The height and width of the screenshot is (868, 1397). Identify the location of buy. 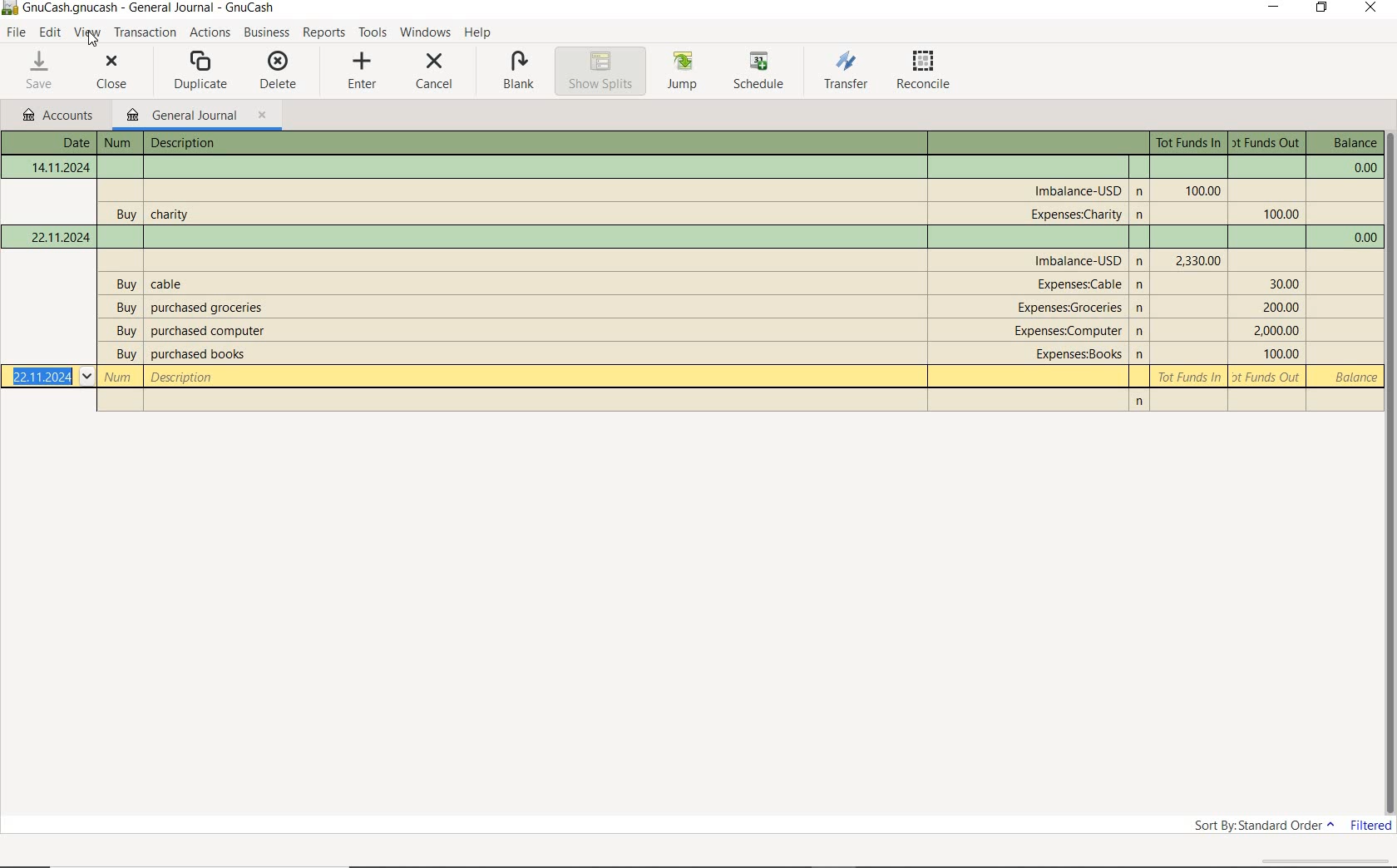
(124, 333).